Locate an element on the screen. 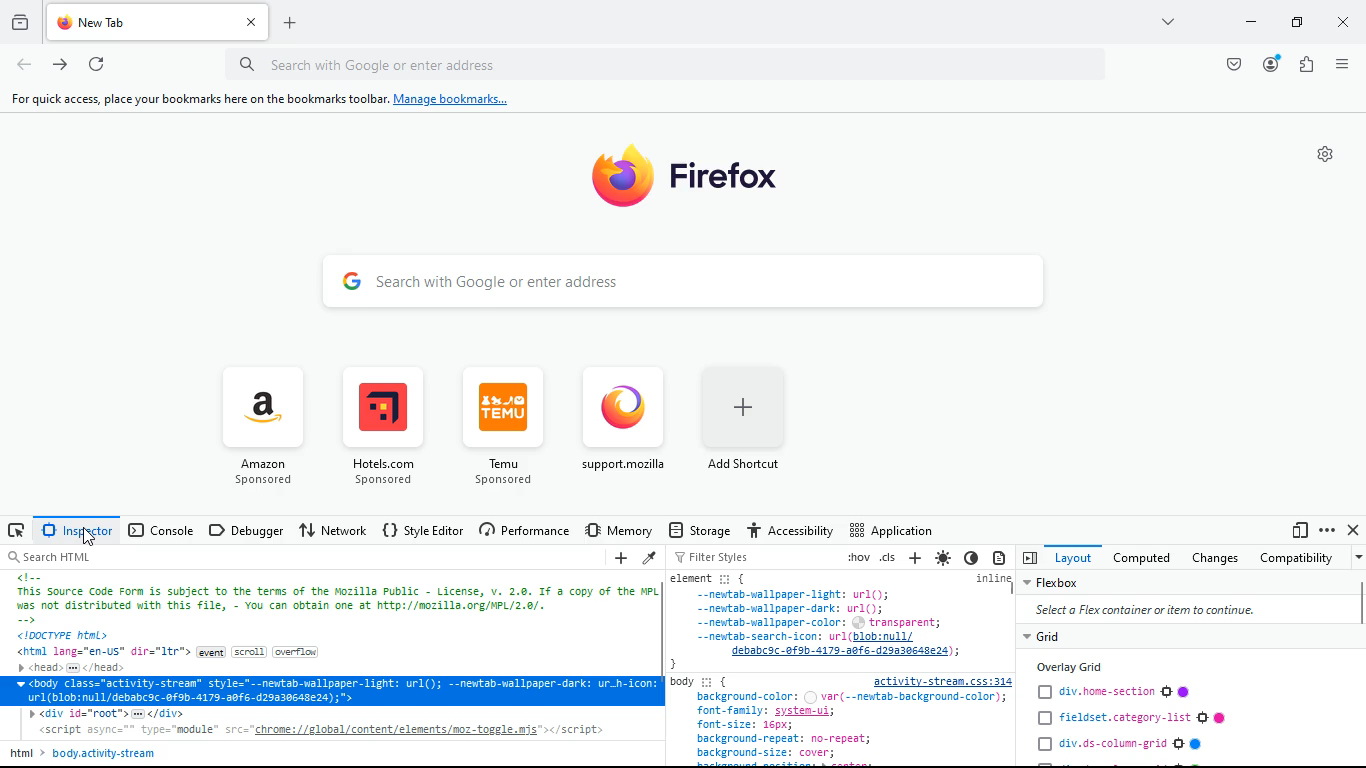 Image resolution: width=1366 pixels, height=768 pixels. profile is located at coordinates (1272, 65).